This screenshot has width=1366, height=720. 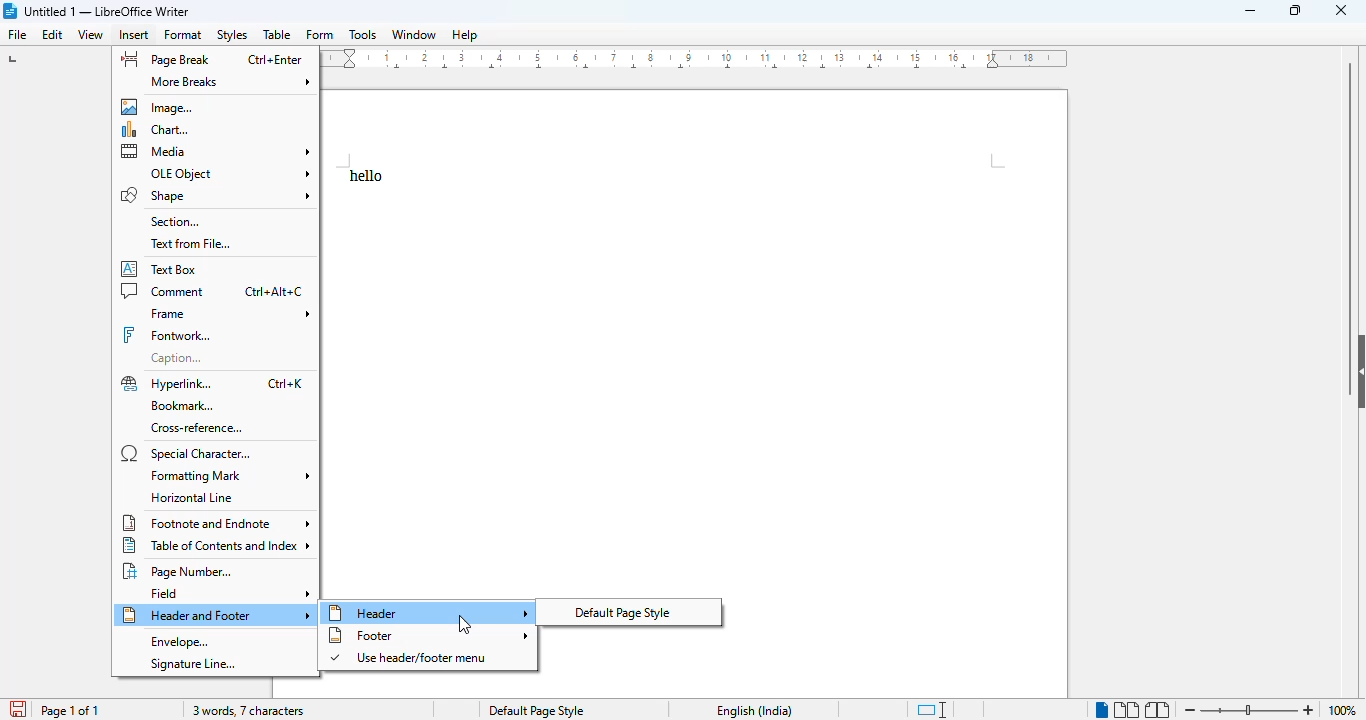 I want to click on field, so click(x=227, y=592).